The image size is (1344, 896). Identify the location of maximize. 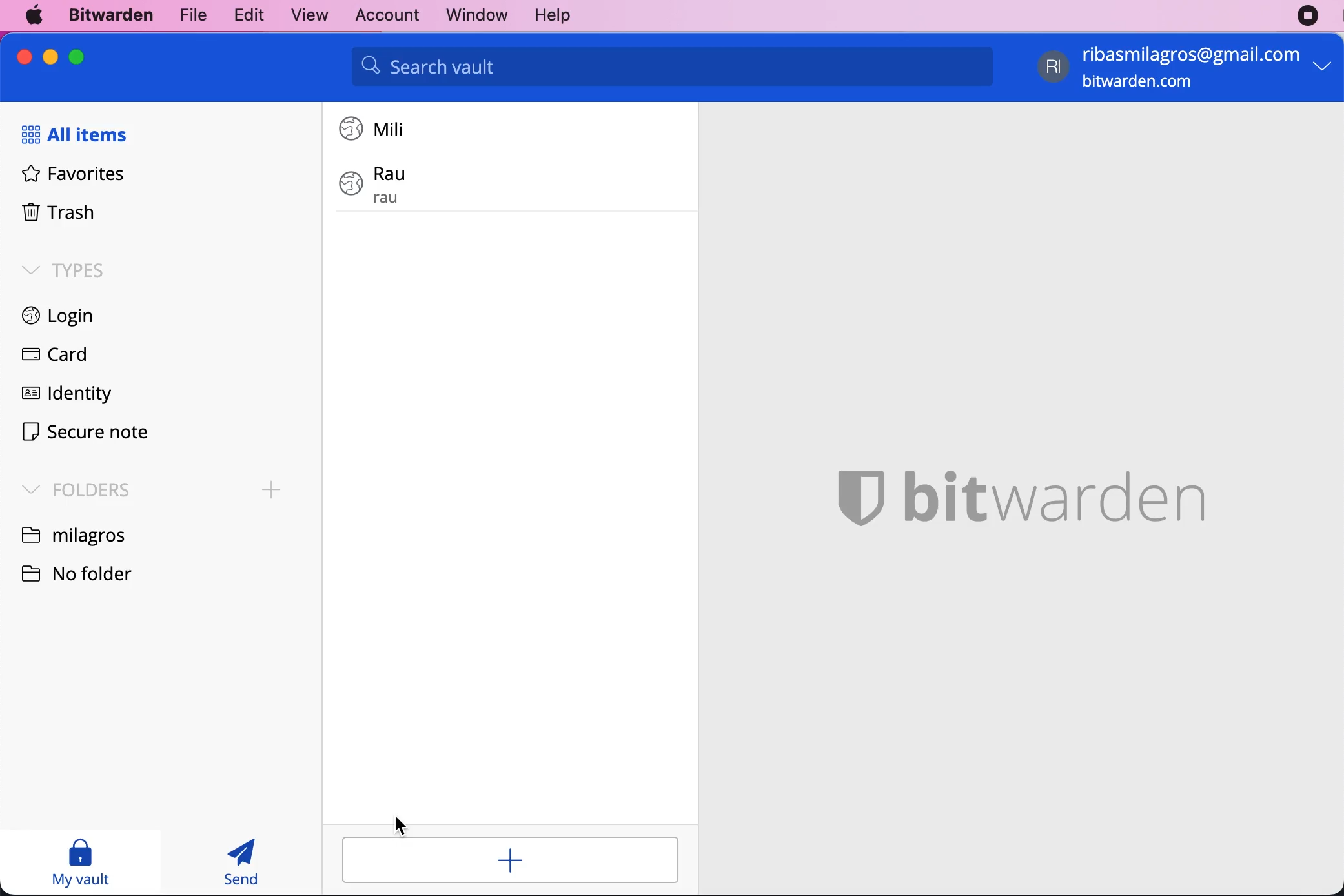
(76, 56).